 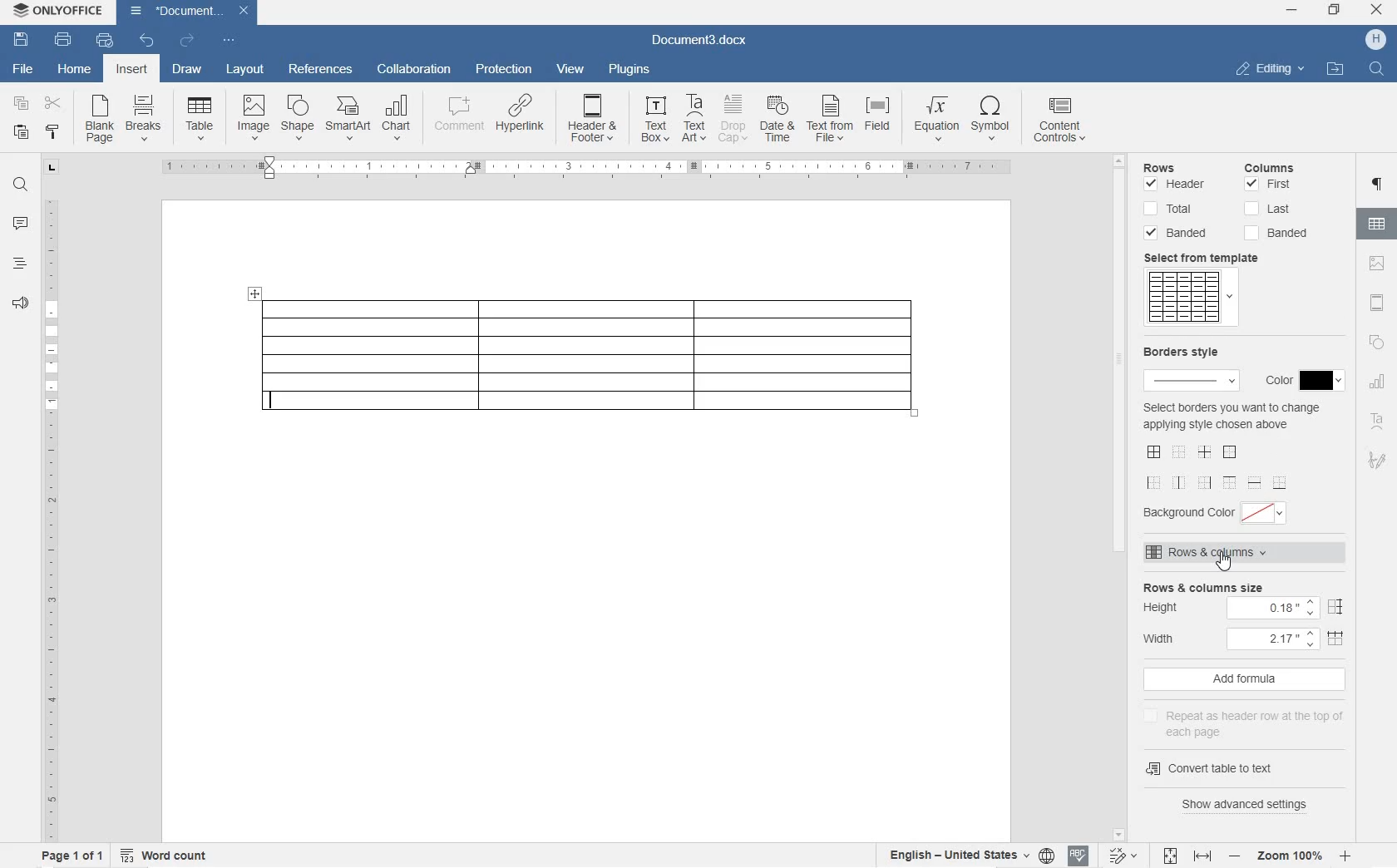 I want to click on PLUGINS, so click(x=630, y=70).